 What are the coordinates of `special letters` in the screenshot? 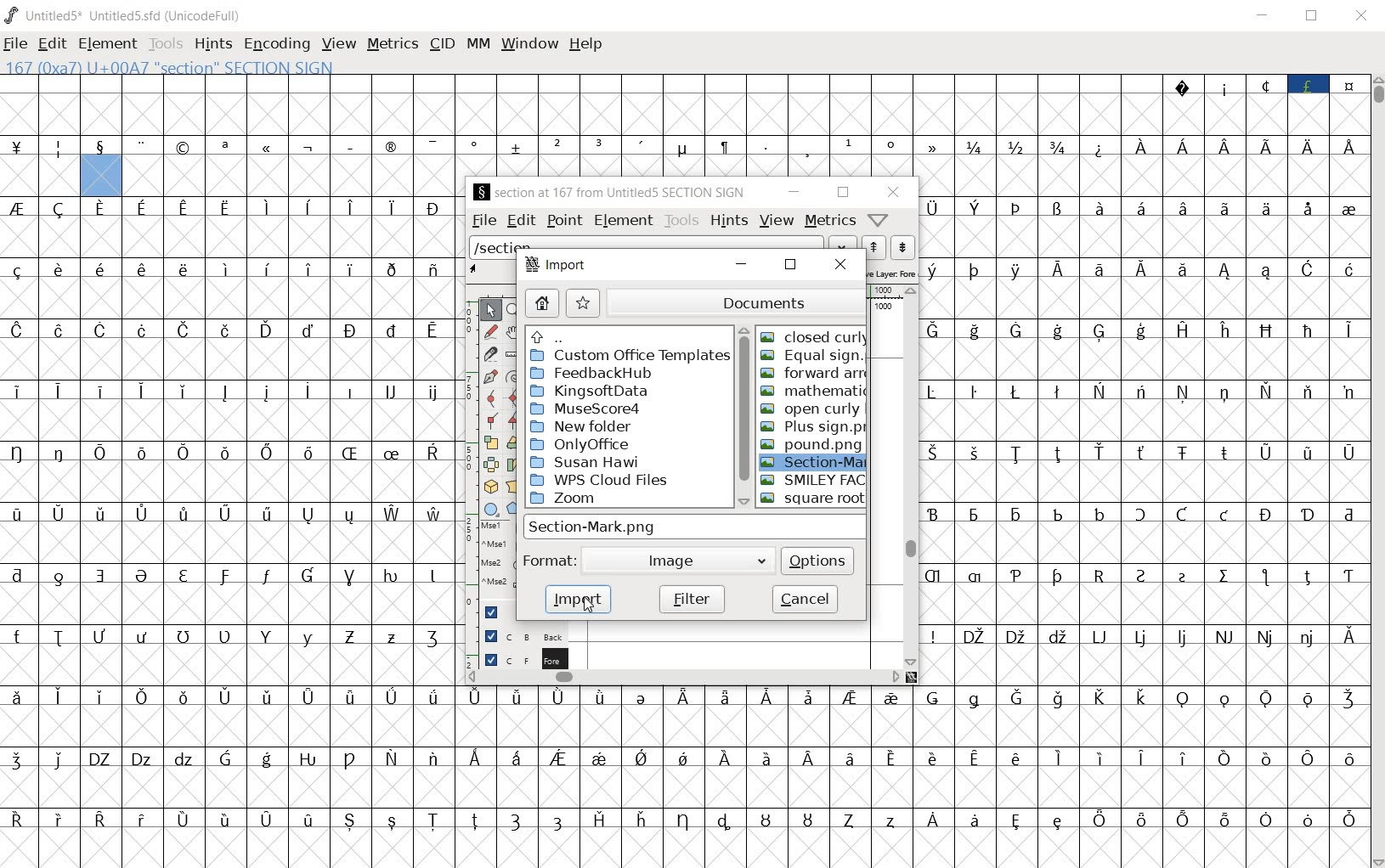 It's located at (230, 454).